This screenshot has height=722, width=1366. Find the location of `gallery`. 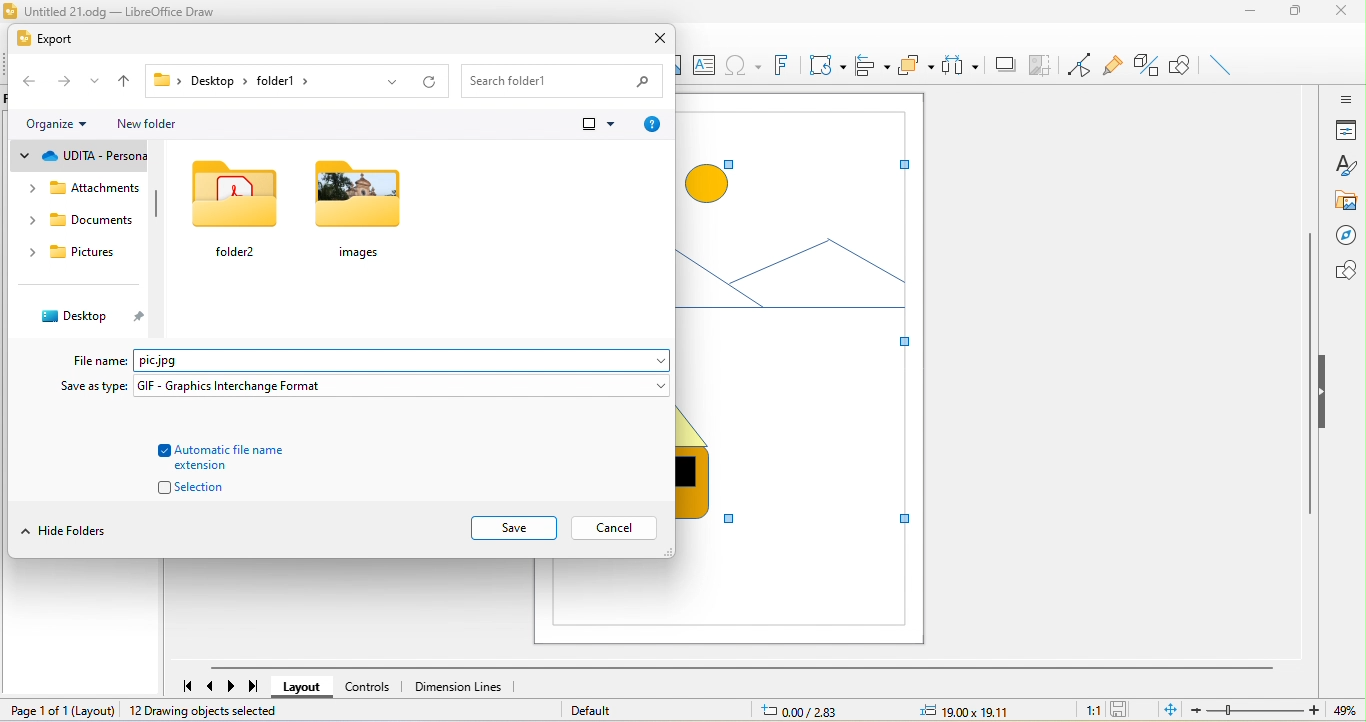

gallery is located at coordinates (1344, 201).